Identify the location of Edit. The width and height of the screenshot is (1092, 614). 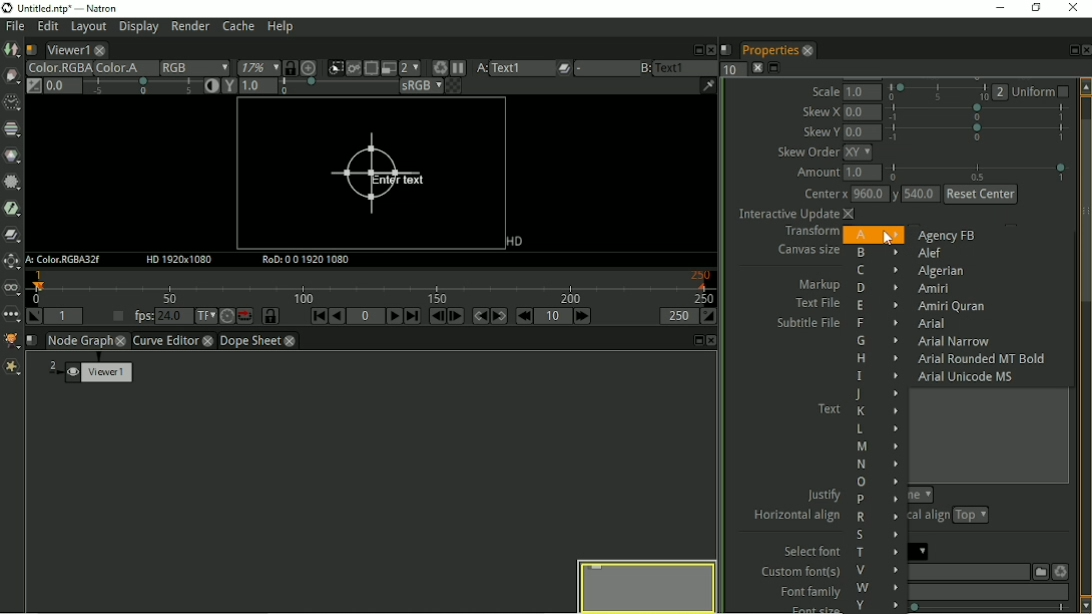
(47, 28).